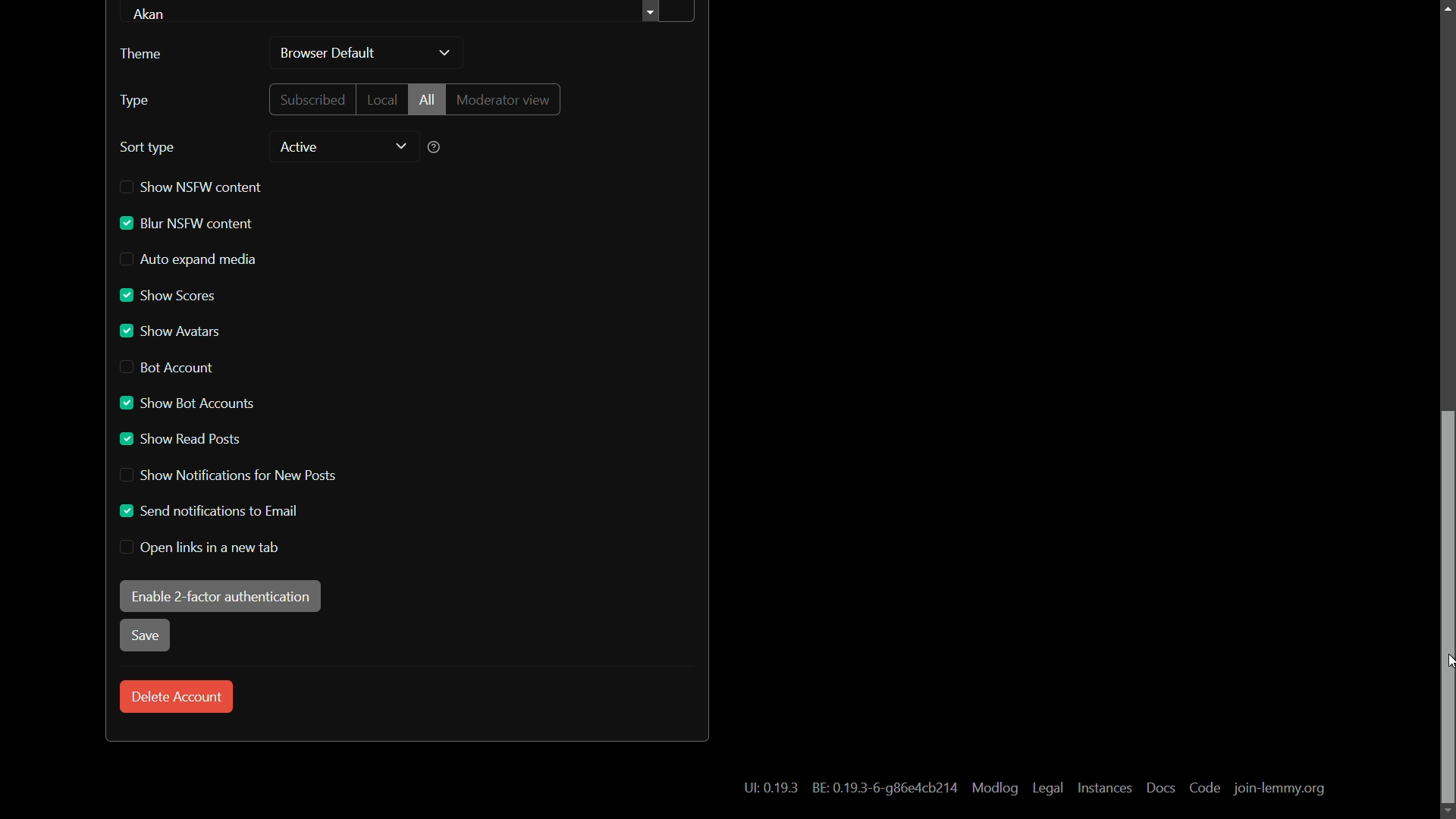  What do you see at coordinates (181, 439) in the screenshot?
I see `show read posts` at bounding box center [181, 439].